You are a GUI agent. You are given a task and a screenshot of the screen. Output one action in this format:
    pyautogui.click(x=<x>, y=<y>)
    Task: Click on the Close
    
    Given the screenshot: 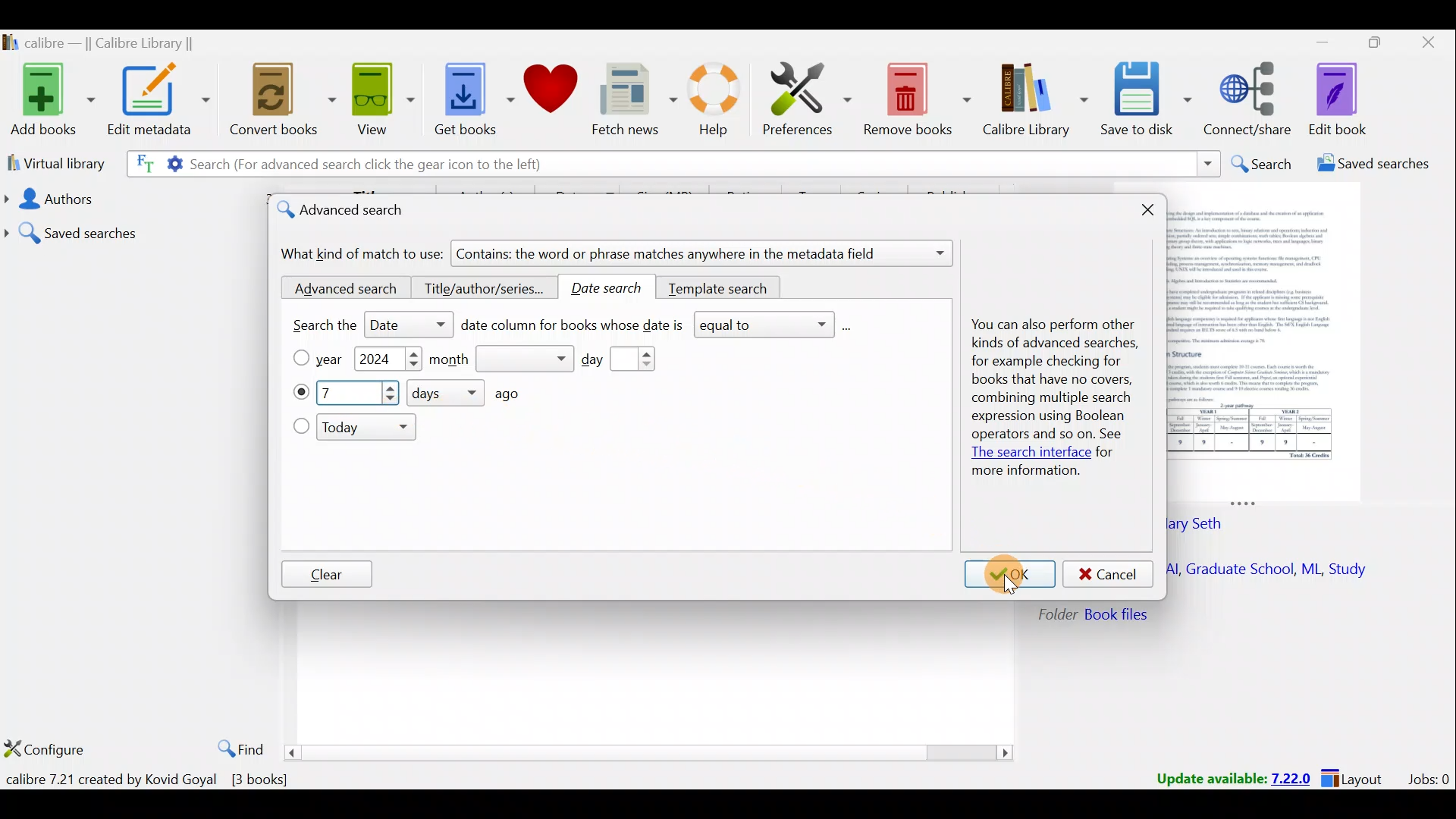 What is the action you would take?
    pyautogui.click(x=1151, y=212)
    